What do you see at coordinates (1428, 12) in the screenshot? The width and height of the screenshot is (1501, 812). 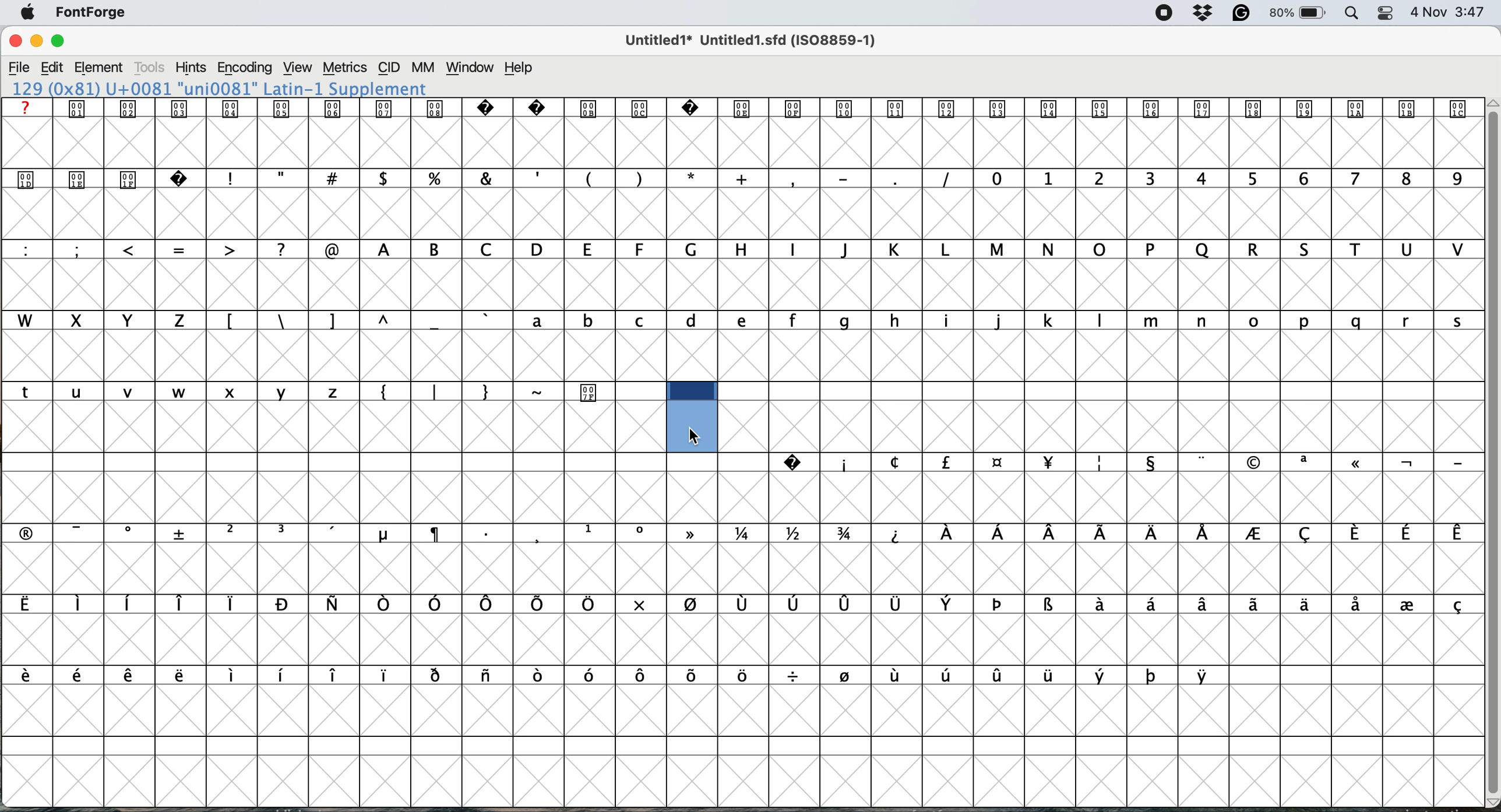 I see `Date` at bounding box center [1428, 12].